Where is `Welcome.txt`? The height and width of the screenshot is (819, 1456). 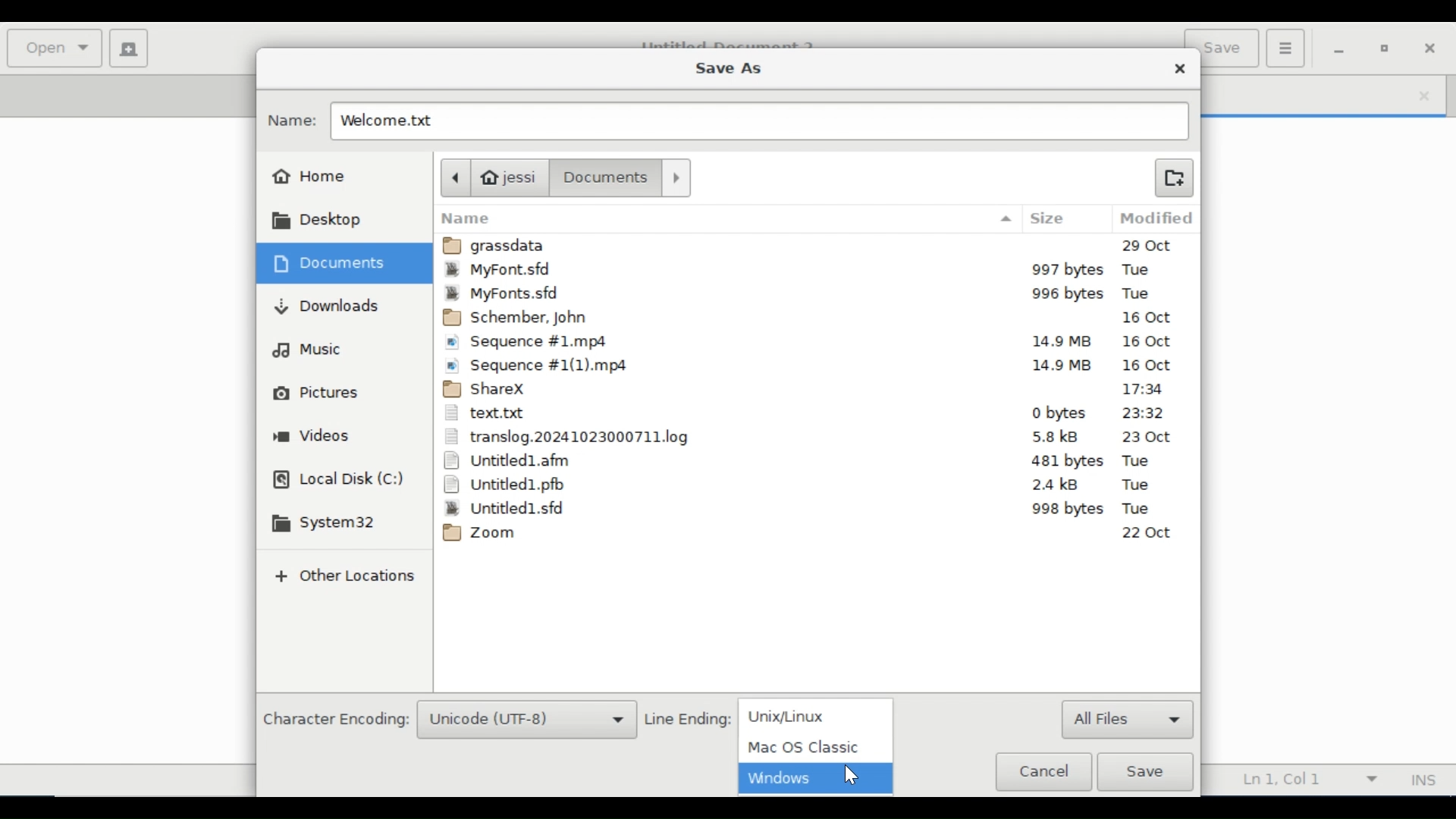 Welcome.txt is located at coordinates (403, 121).